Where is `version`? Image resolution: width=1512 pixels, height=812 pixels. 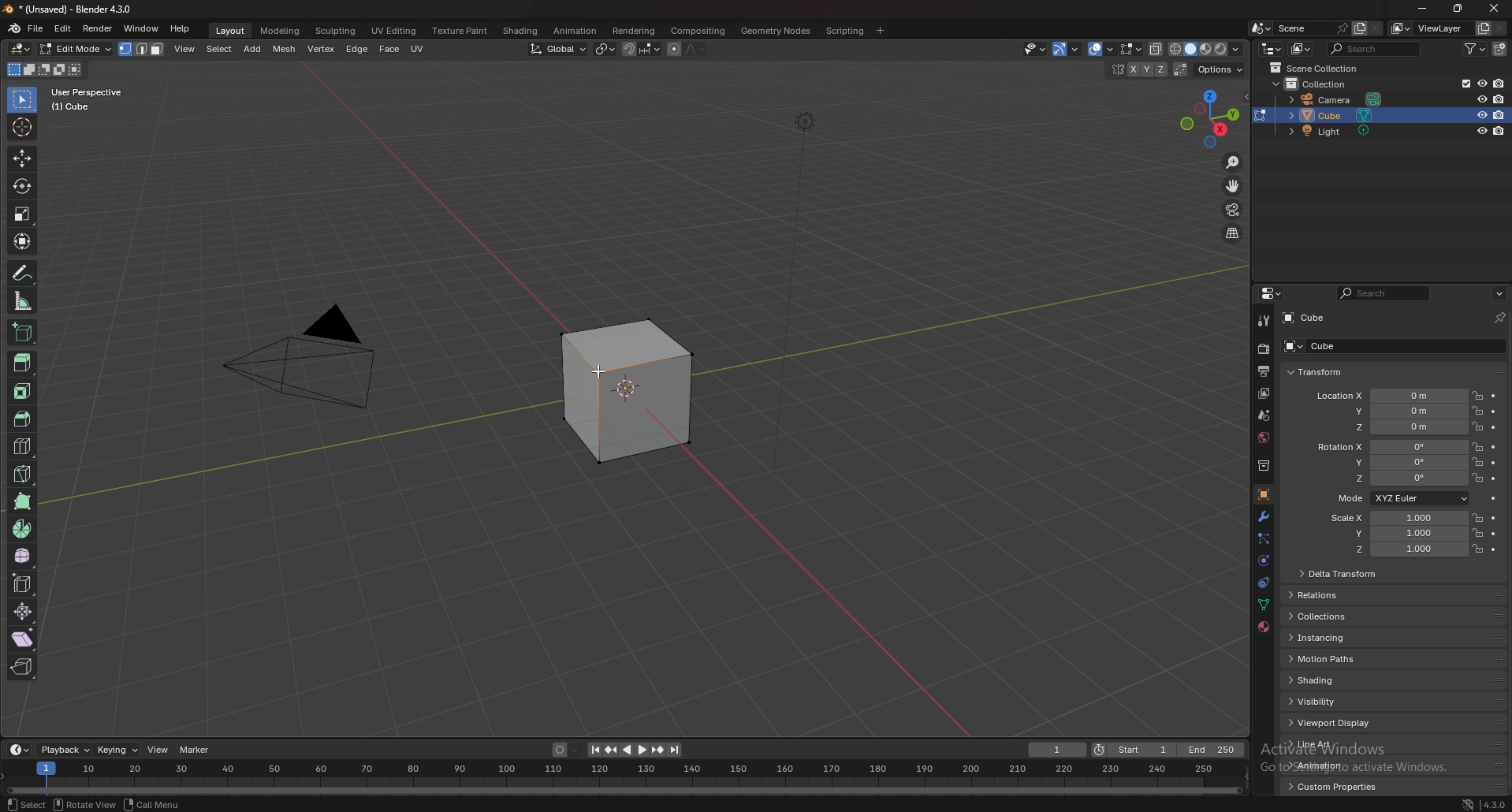 version is located at coordinates (1495, 803).